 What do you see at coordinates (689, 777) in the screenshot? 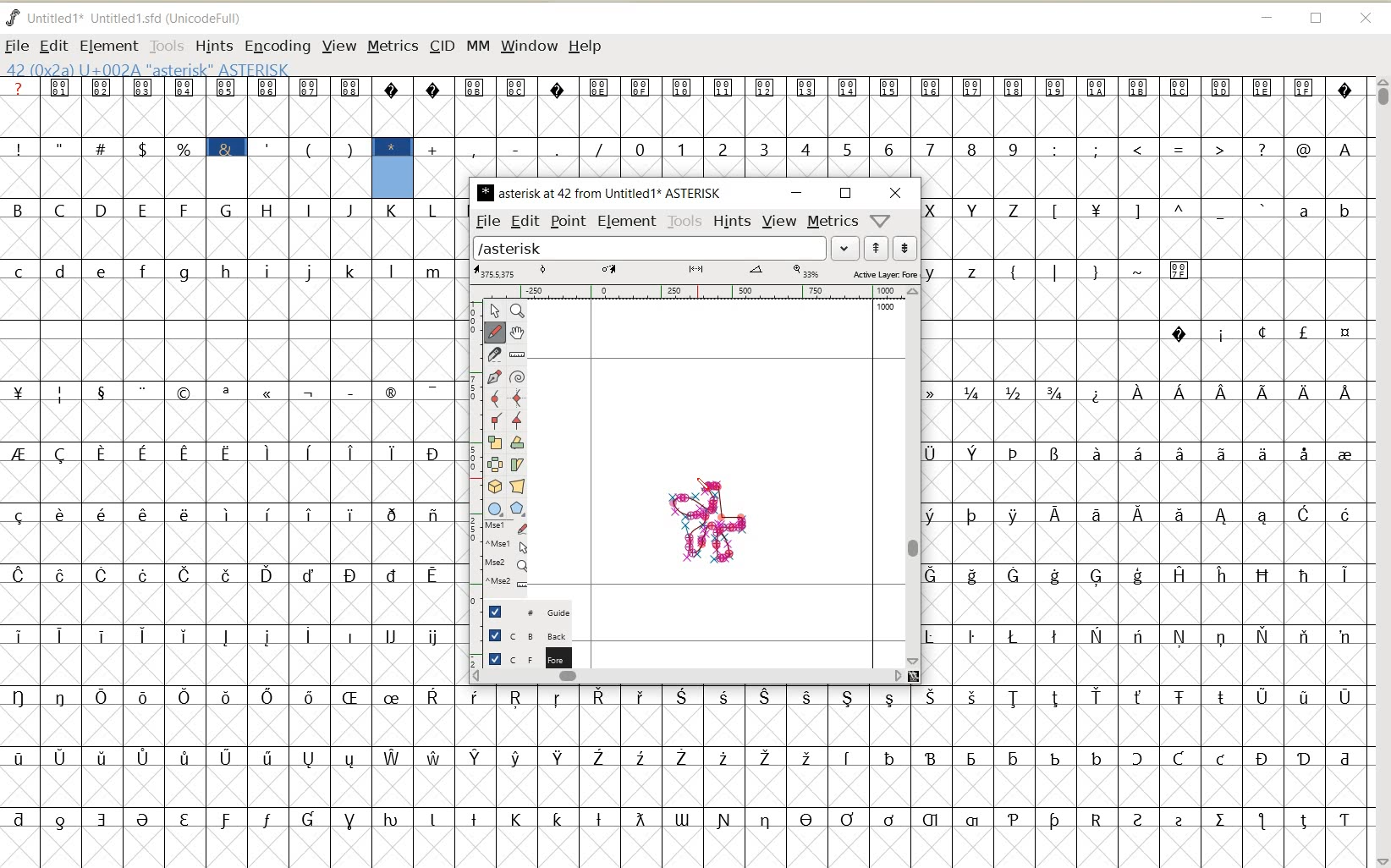
I see `GLYPHY CHARACTERS` at bounding box center [689, 777].